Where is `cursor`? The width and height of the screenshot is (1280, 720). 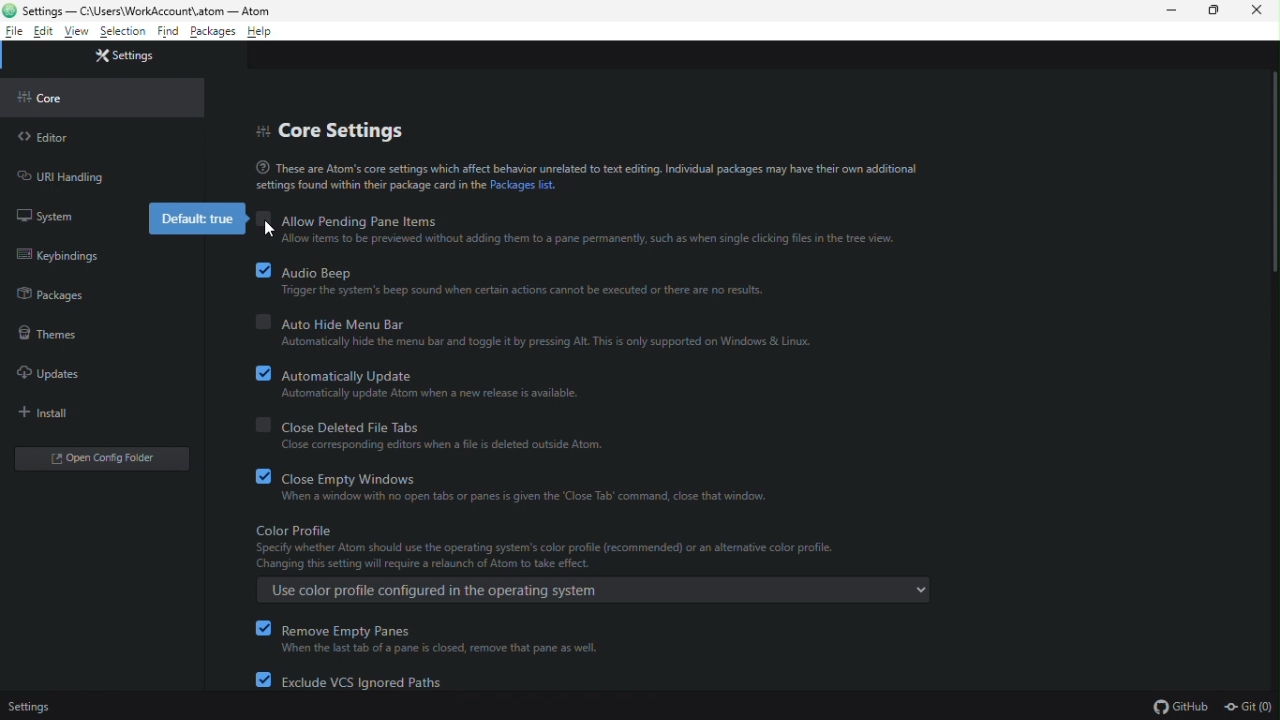 cursor is located at coordinates (272, 231).